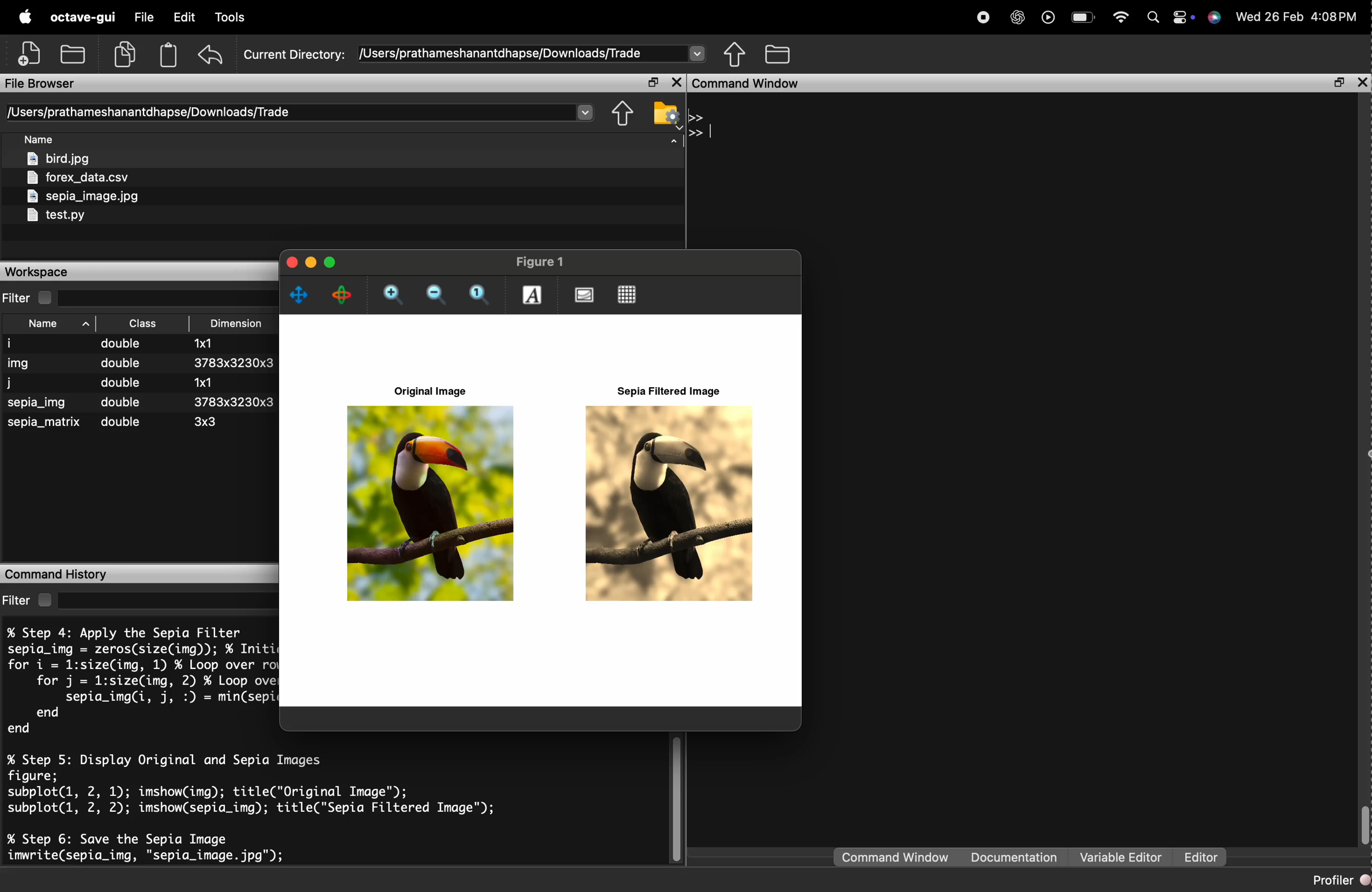 The height and width of the screenshot is (892, 1372). Describe the element at coordinates (210, 55) in the screenshot. I see `undo` at that location.